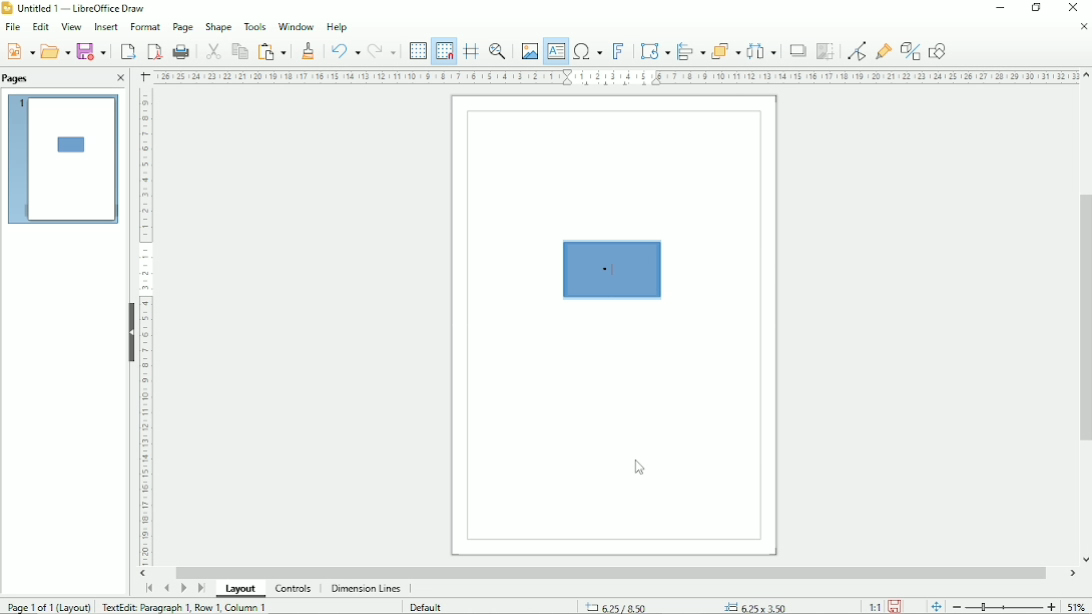  Describe the element at coordinates (556, 52) in the screenshot. I see `Insert text box` at that location.